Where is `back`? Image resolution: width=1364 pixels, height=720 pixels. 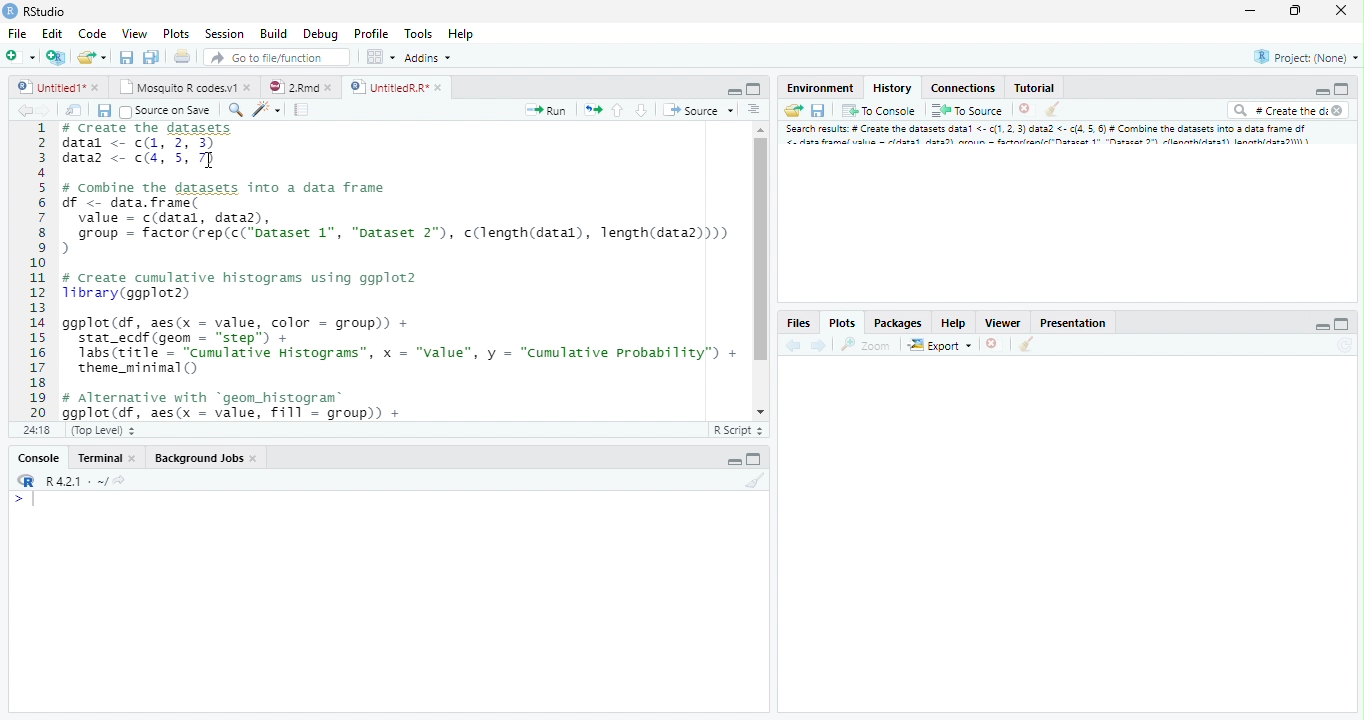 back is located at coordinates (794, 347).